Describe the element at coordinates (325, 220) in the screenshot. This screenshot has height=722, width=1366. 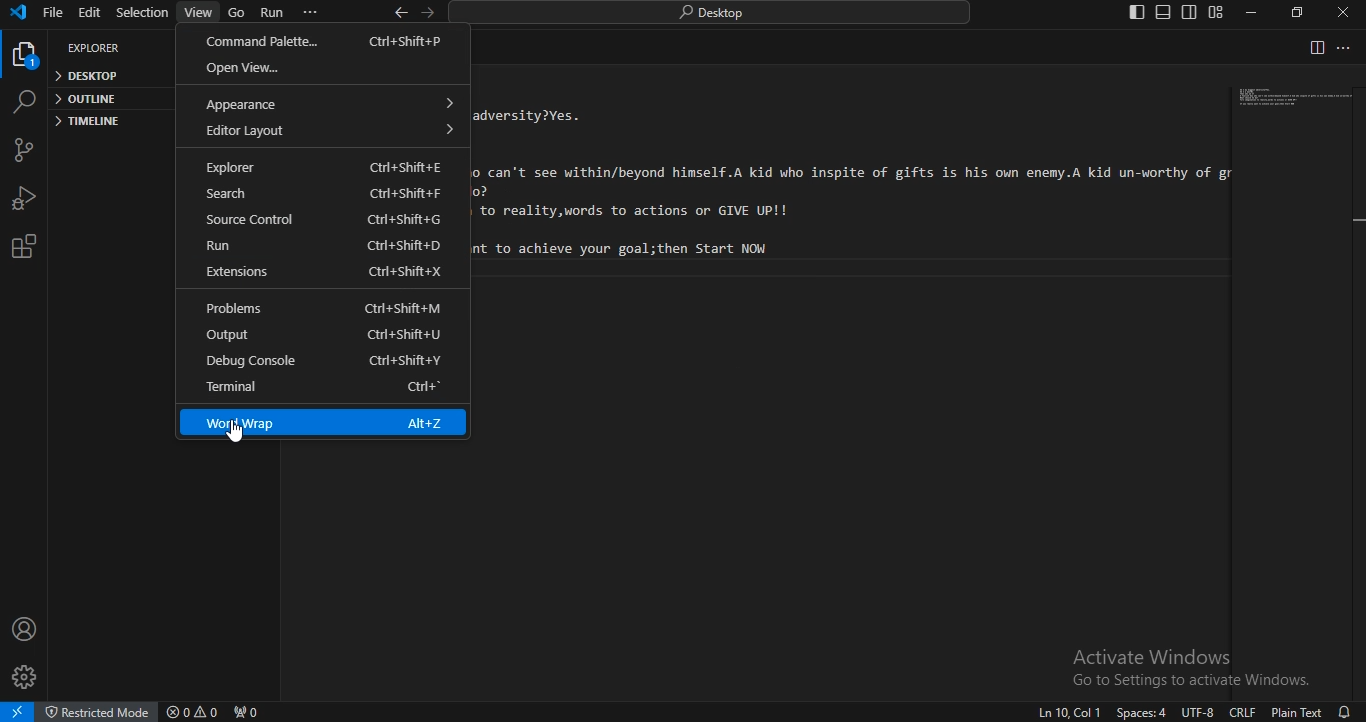
I see `source control` at that location.